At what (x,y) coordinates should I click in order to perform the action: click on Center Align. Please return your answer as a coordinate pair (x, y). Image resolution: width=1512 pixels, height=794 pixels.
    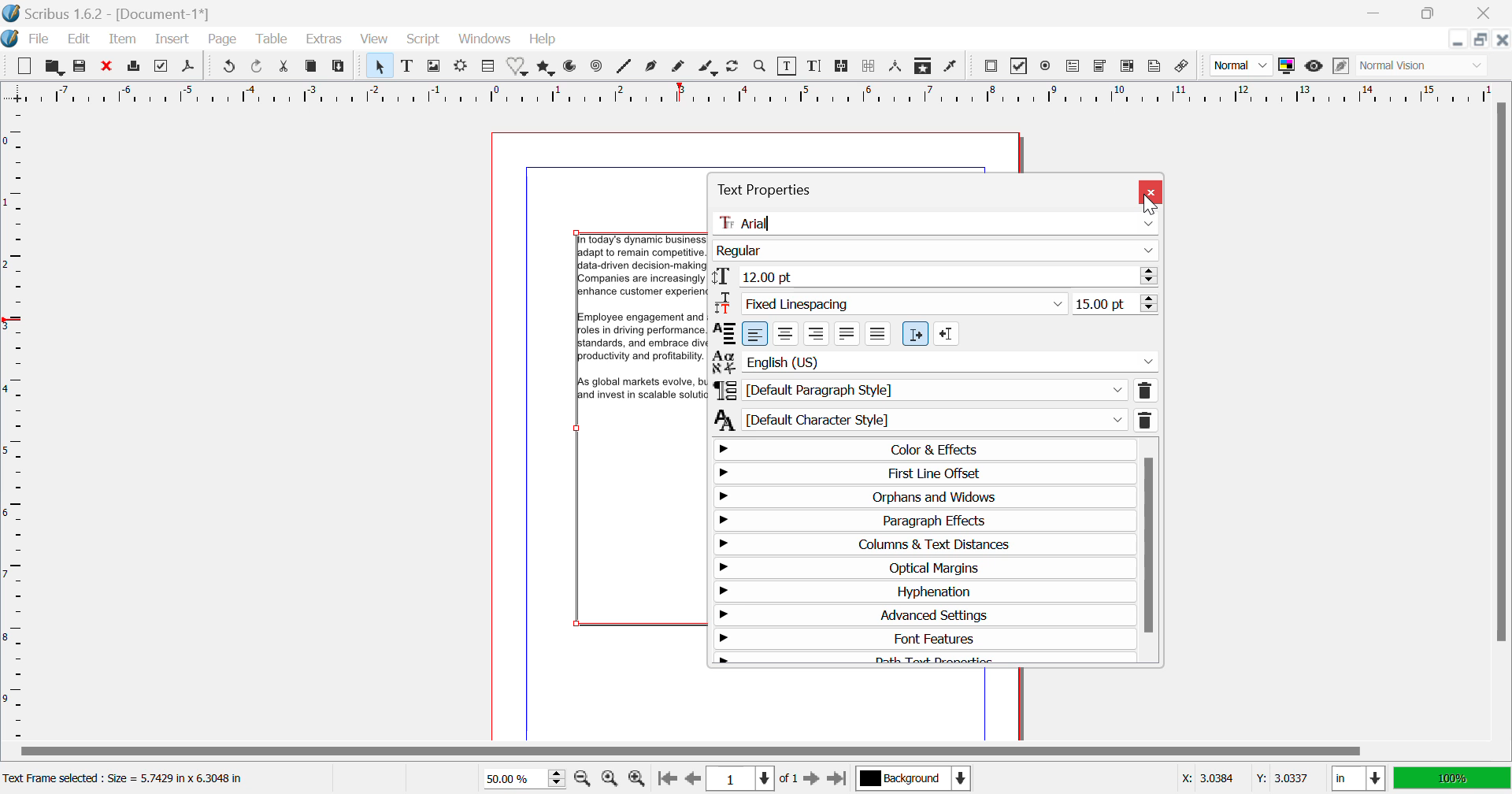
    Looking at the image, I should click on (786, 334).